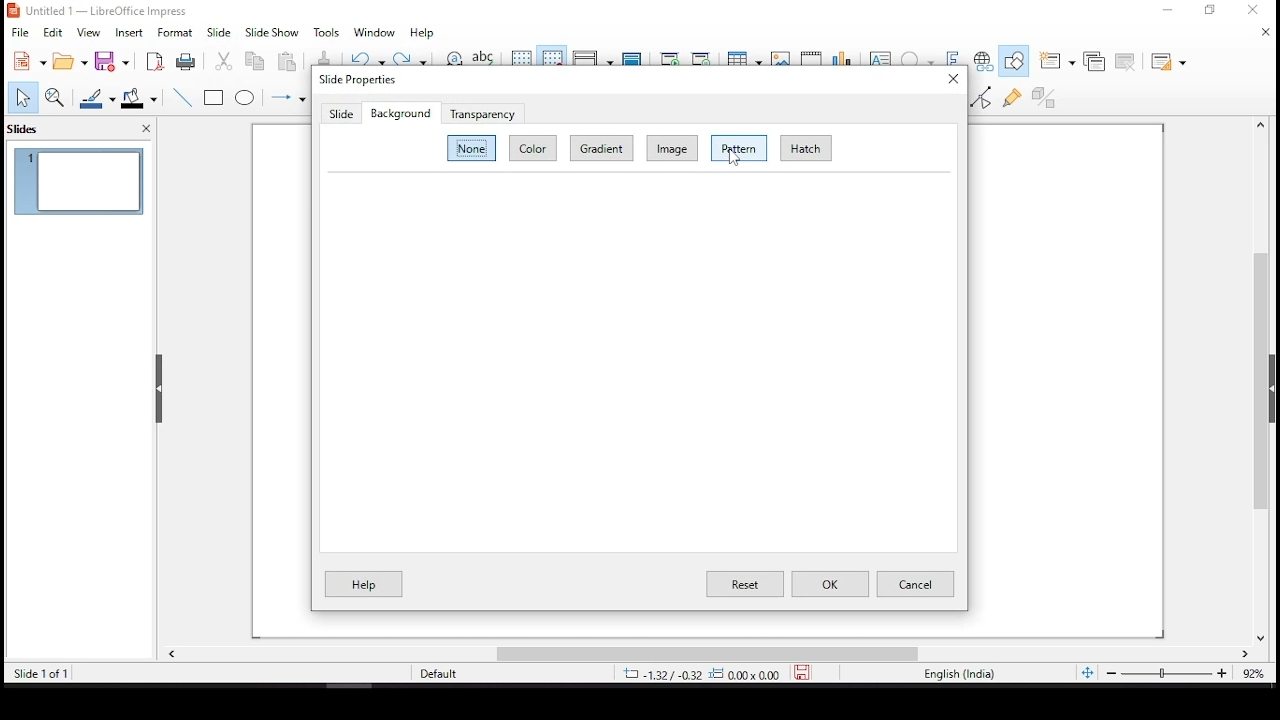 Image resolution: width=1280 pixels, height=720 pixels. Describe the element at coordinates (1057, 59) in the screenshot. I see `new slide` at that location.